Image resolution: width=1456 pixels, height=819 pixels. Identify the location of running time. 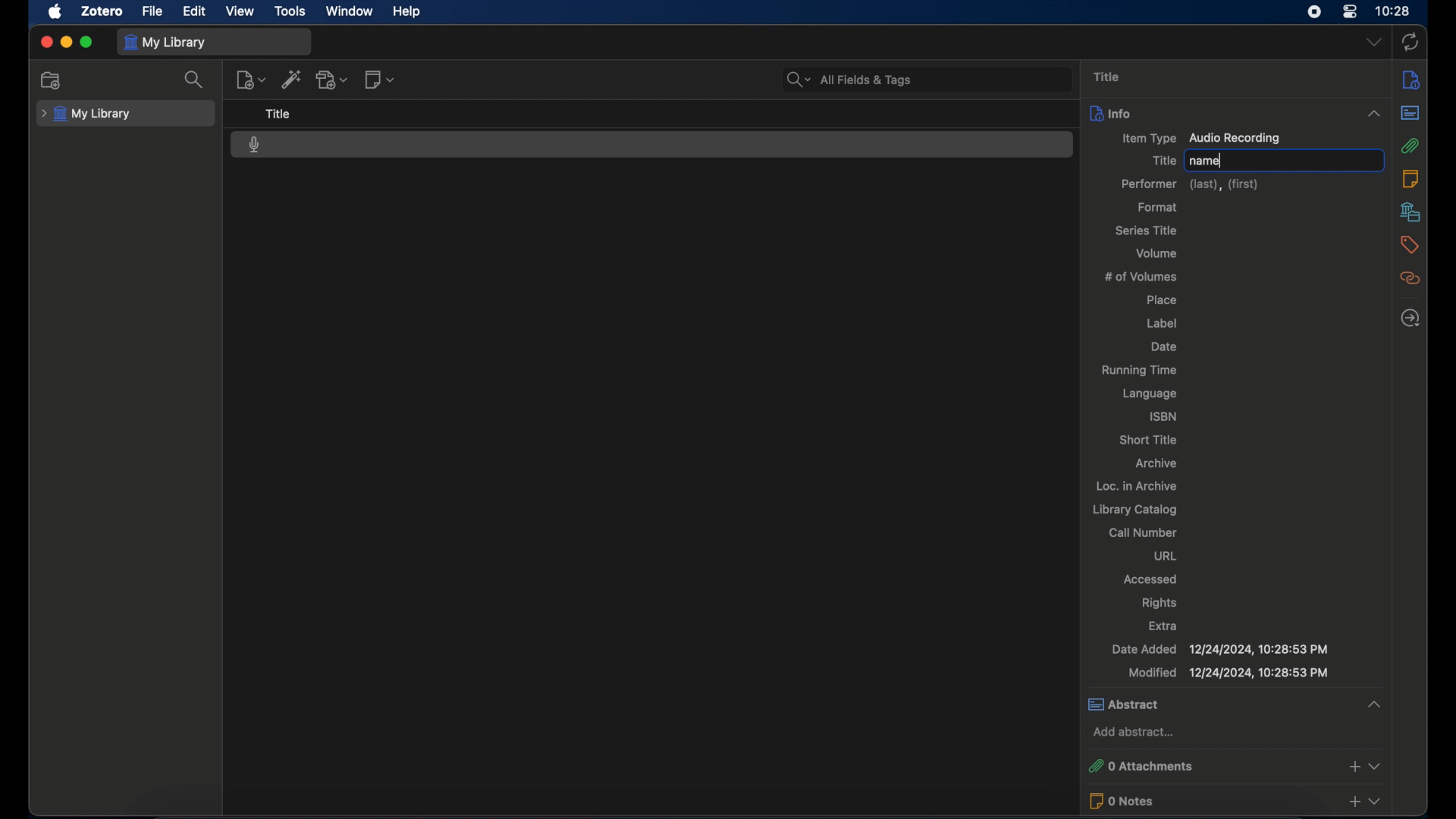
(1138, 371).